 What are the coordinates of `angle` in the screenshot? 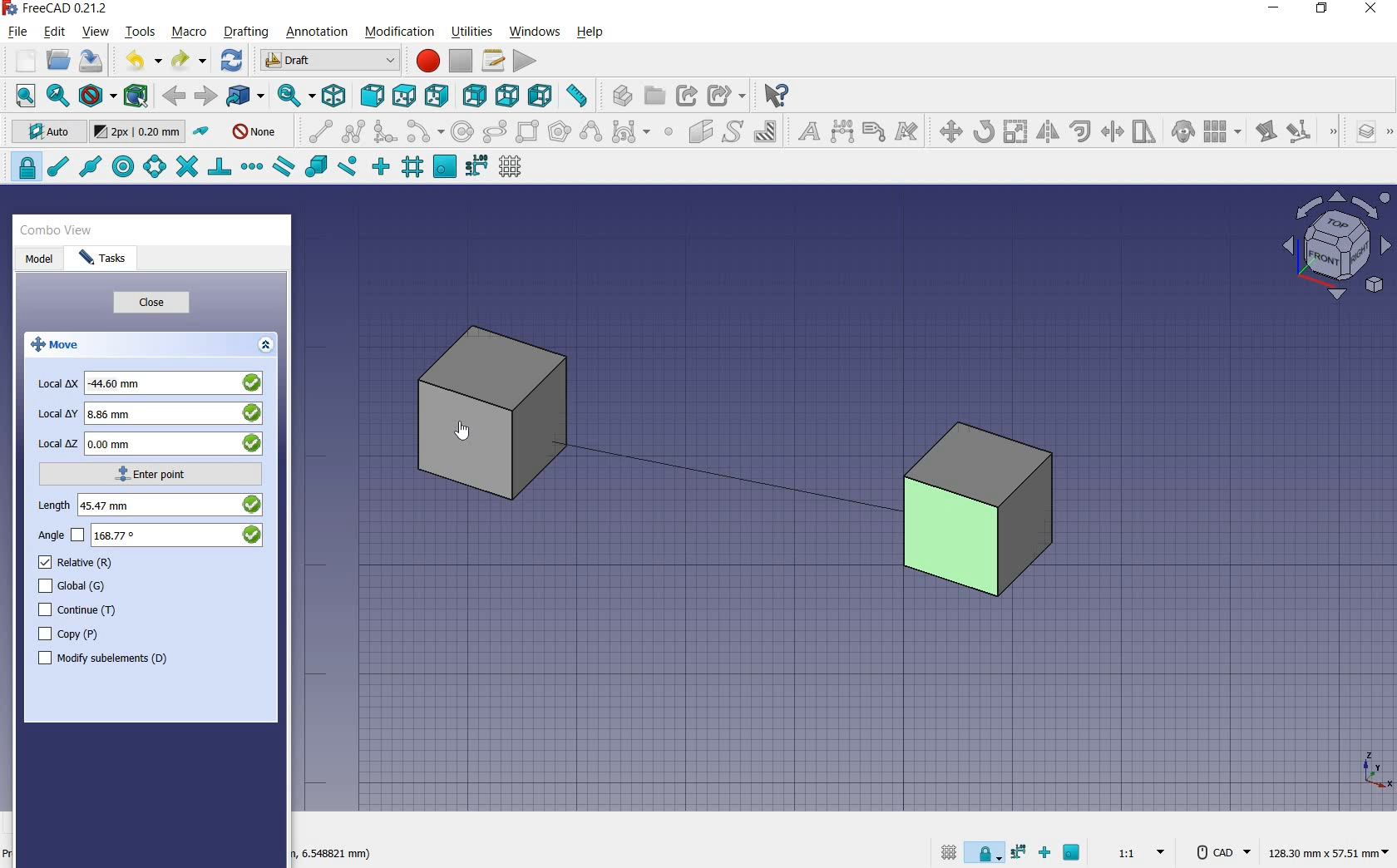 It's located at (151, 535).